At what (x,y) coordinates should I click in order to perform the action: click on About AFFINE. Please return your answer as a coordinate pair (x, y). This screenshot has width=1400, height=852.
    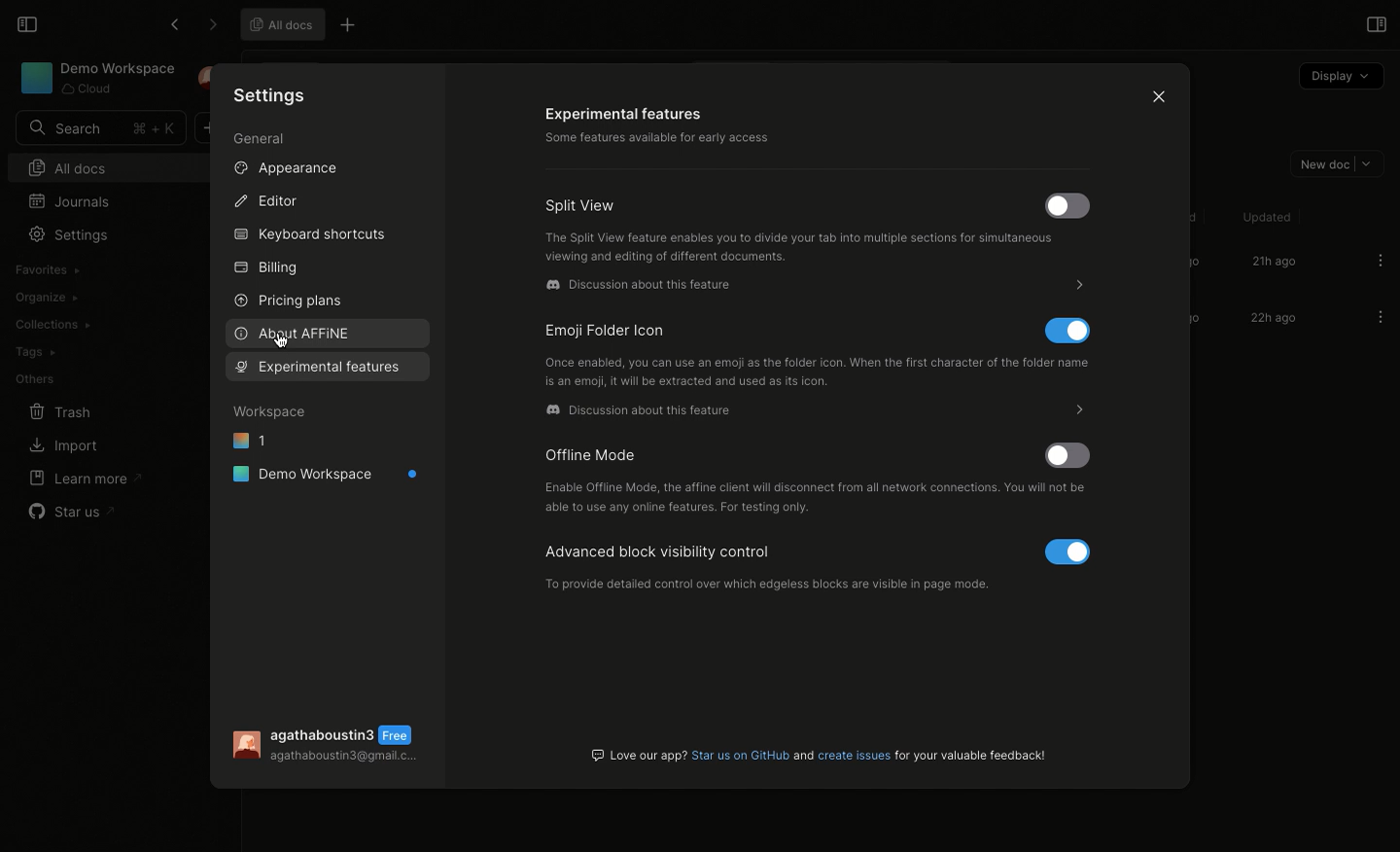
    Looking at the image, I should click on (294, 334).